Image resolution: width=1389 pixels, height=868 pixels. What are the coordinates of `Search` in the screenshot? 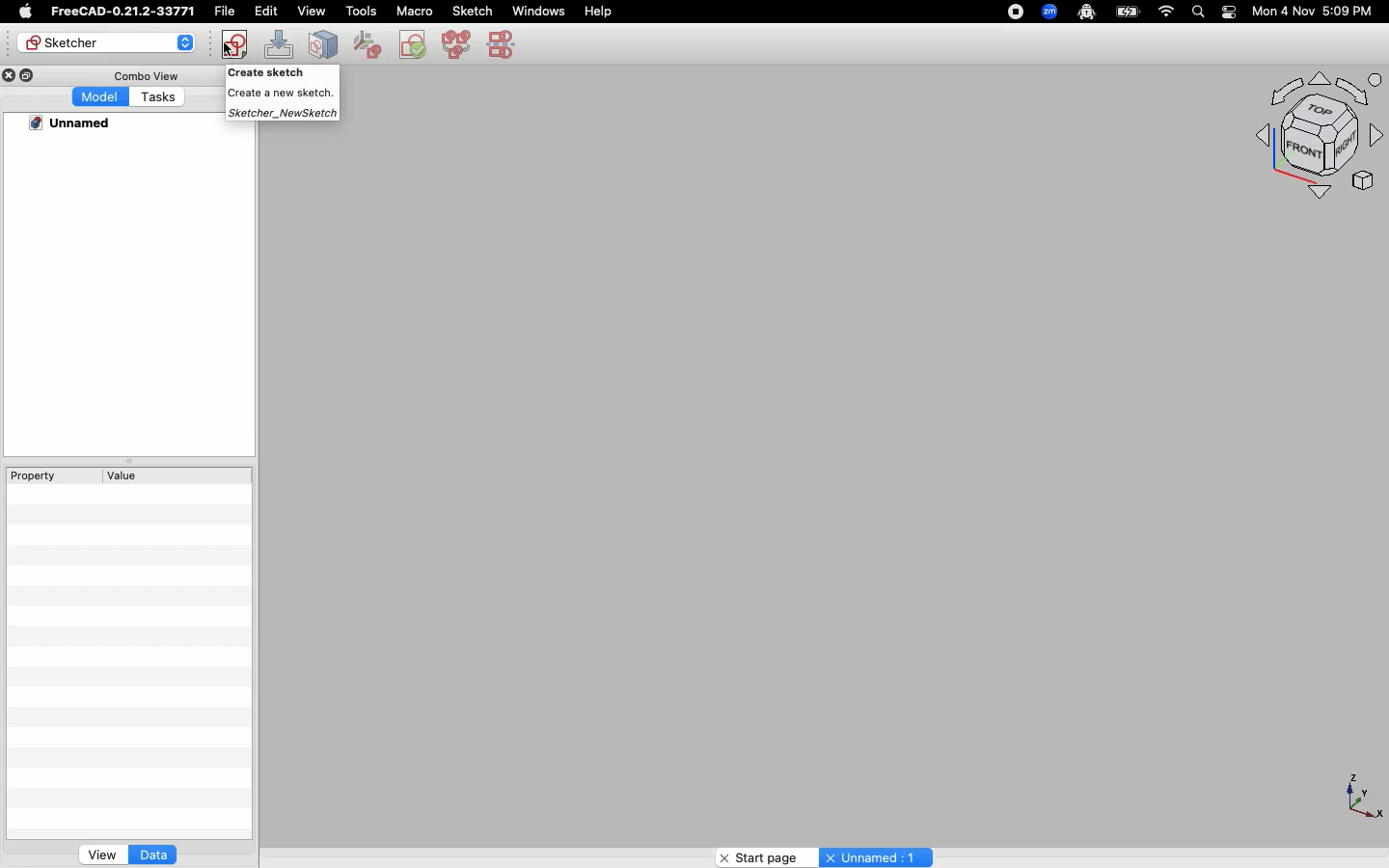 It's located at (1197, 11).